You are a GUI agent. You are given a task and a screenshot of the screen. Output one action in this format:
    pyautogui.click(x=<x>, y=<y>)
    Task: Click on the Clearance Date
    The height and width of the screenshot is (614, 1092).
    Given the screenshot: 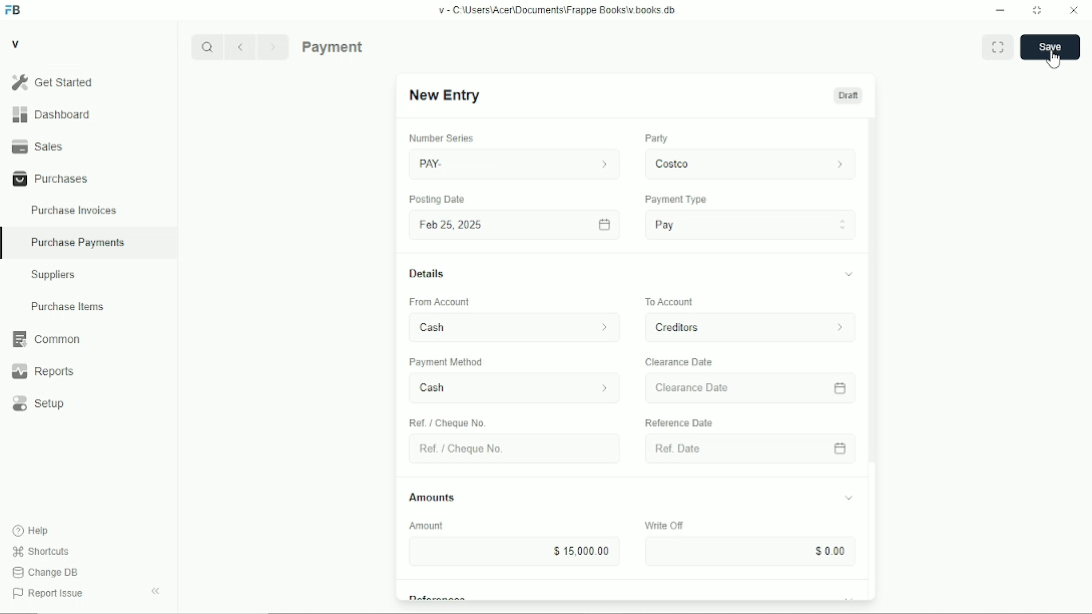 What is the action you would take?
    pyautogui.click(x=683, y=362)
    